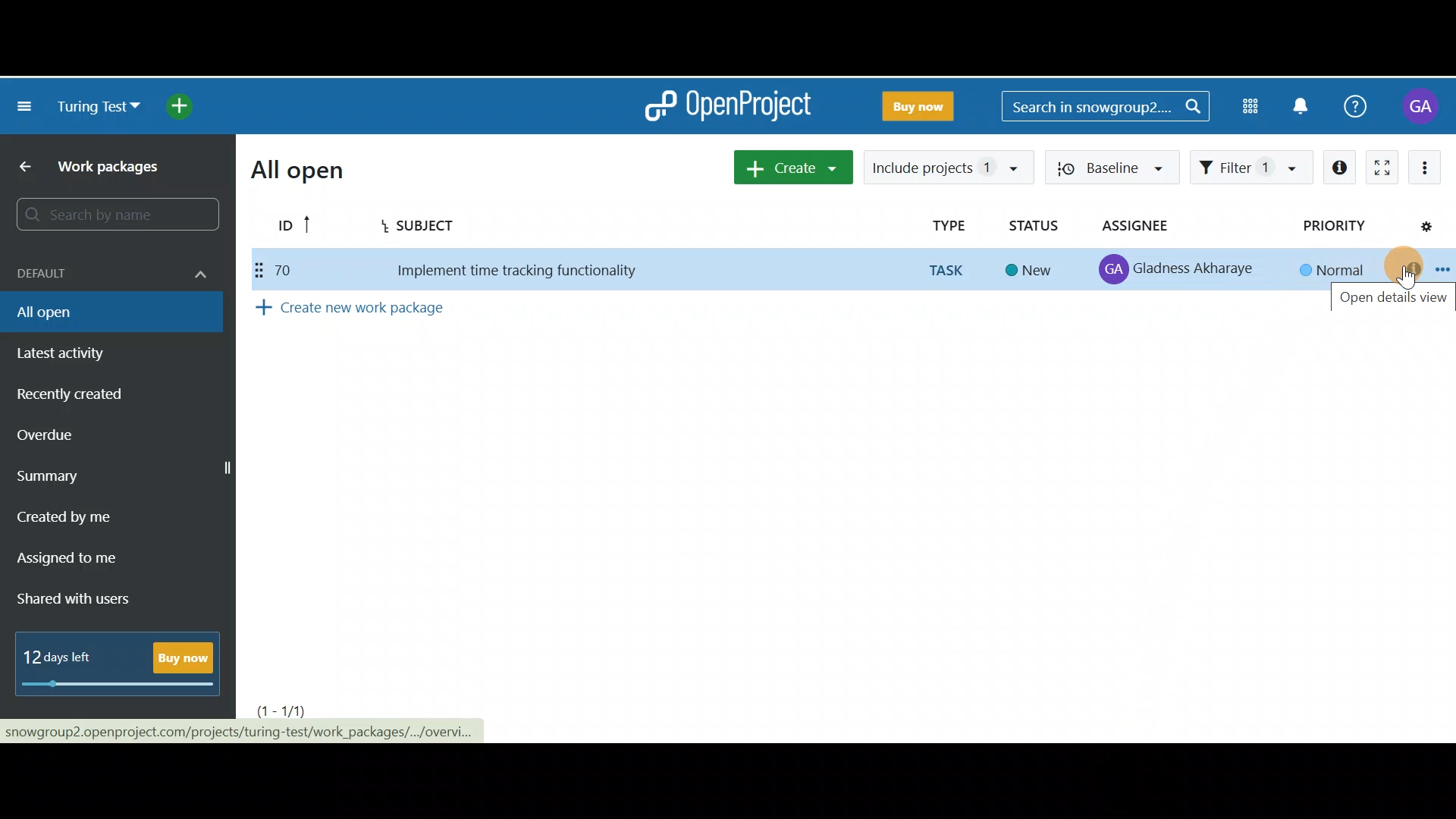 Image resolution: width=1456 pixels, height=819 pixels. Describe the element at coordinates (26, 108) in the screenshot. I see `Collapse project menu` at that location.